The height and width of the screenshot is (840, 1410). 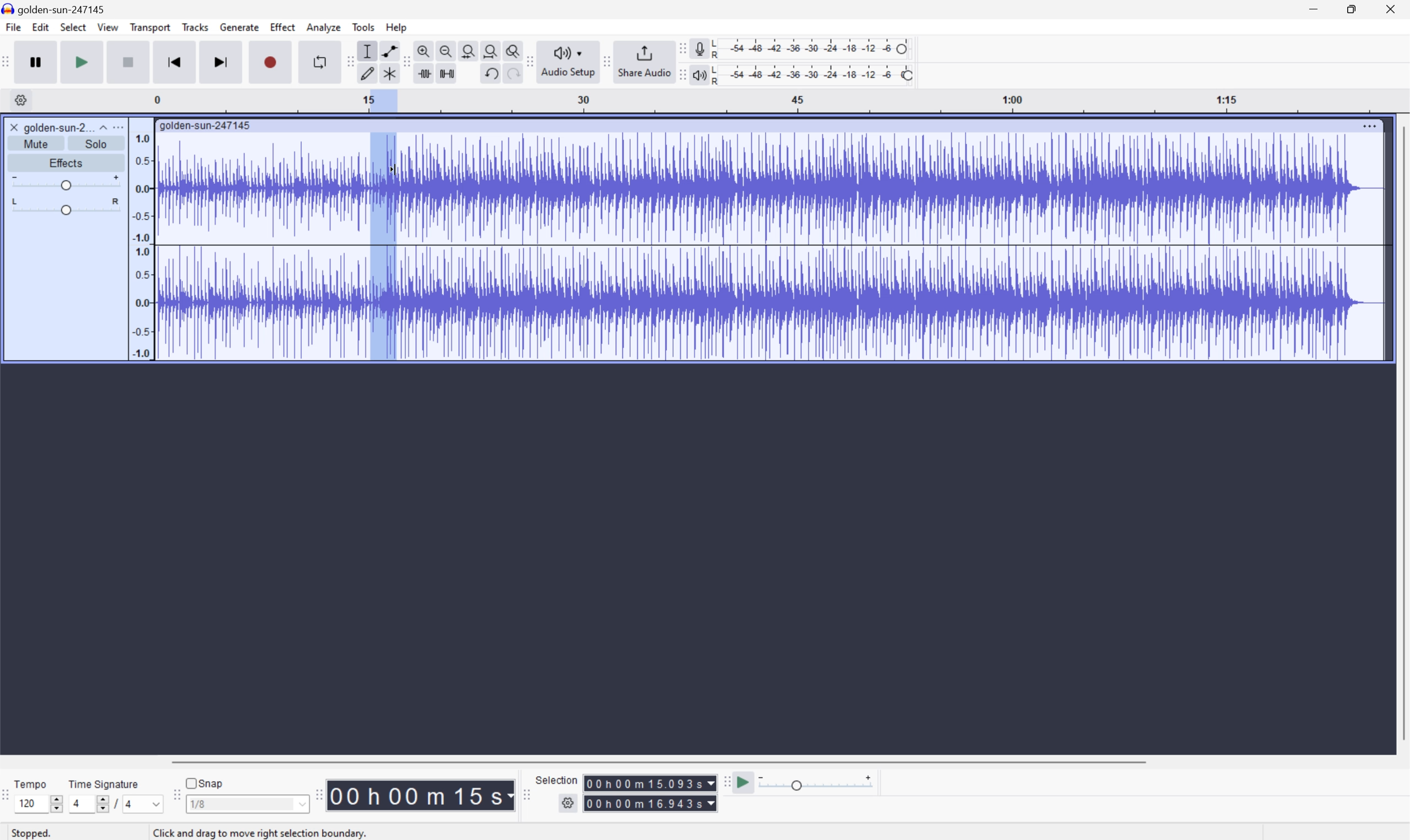 I want to click on Time, so click(x=421, y=794).